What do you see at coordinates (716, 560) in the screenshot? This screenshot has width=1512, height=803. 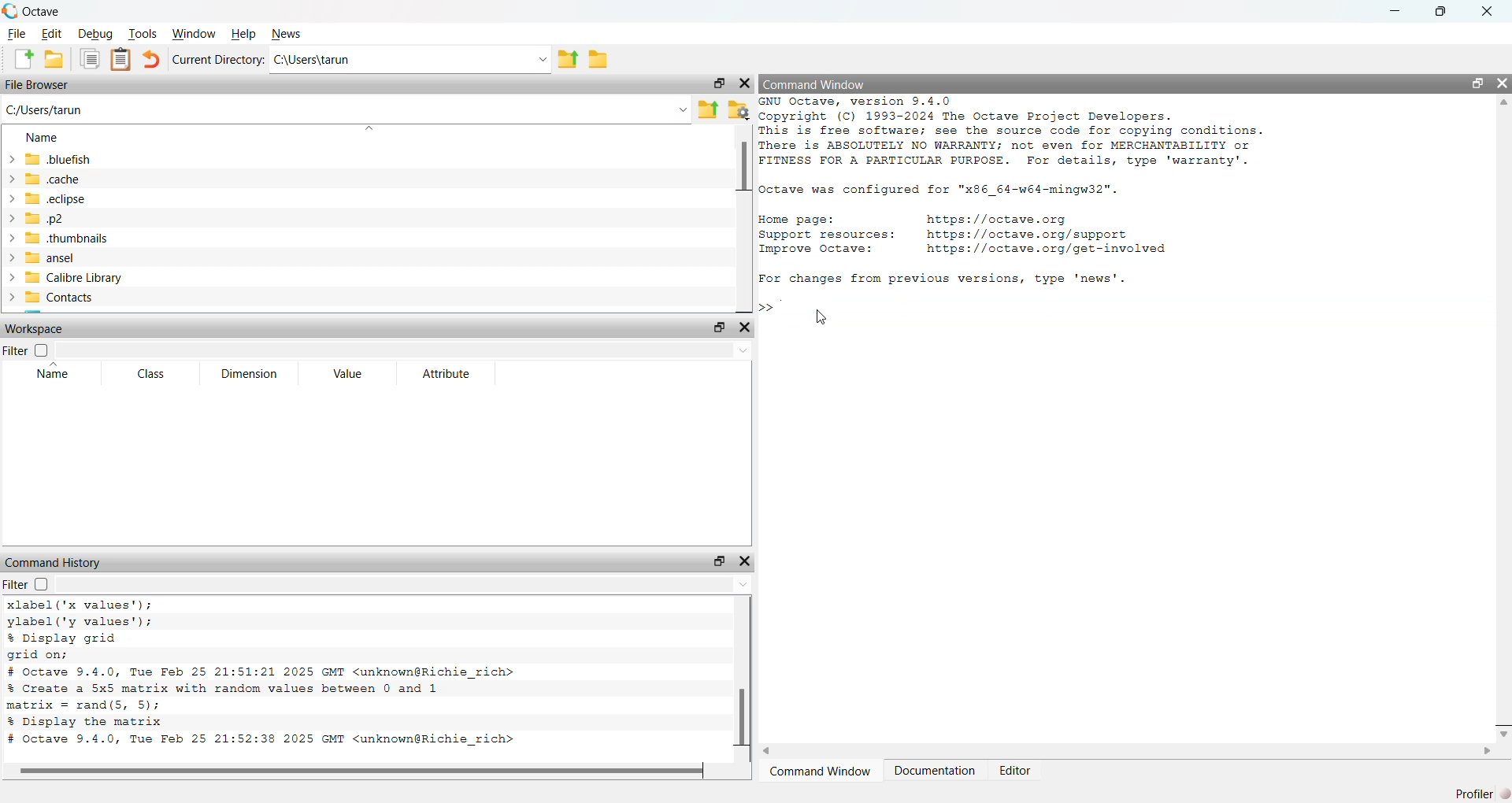 I see `maximise` at bounding box center [716, 560].